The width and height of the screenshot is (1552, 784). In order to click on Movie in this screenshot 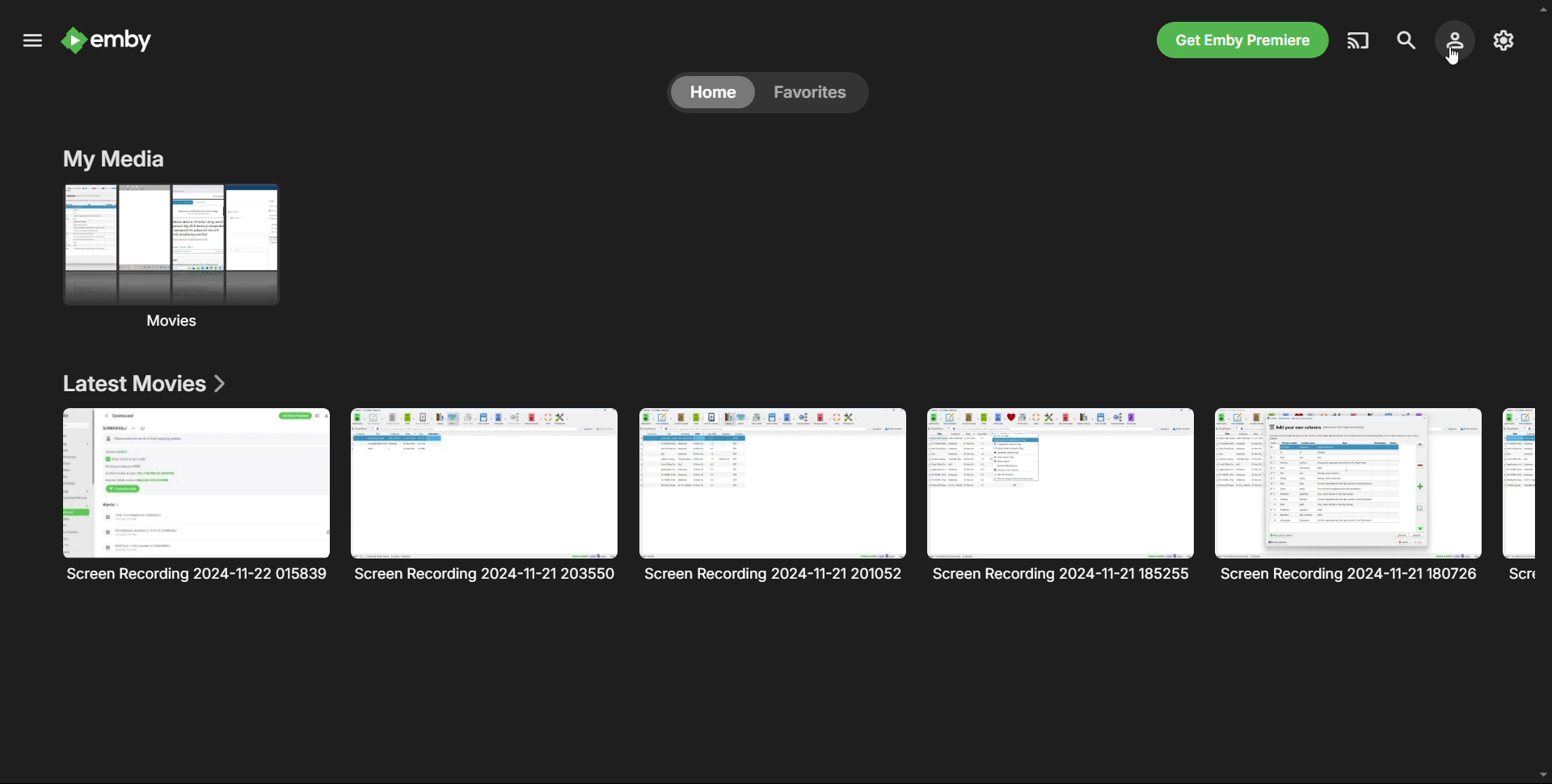, I will do `click(1348, 495)`.